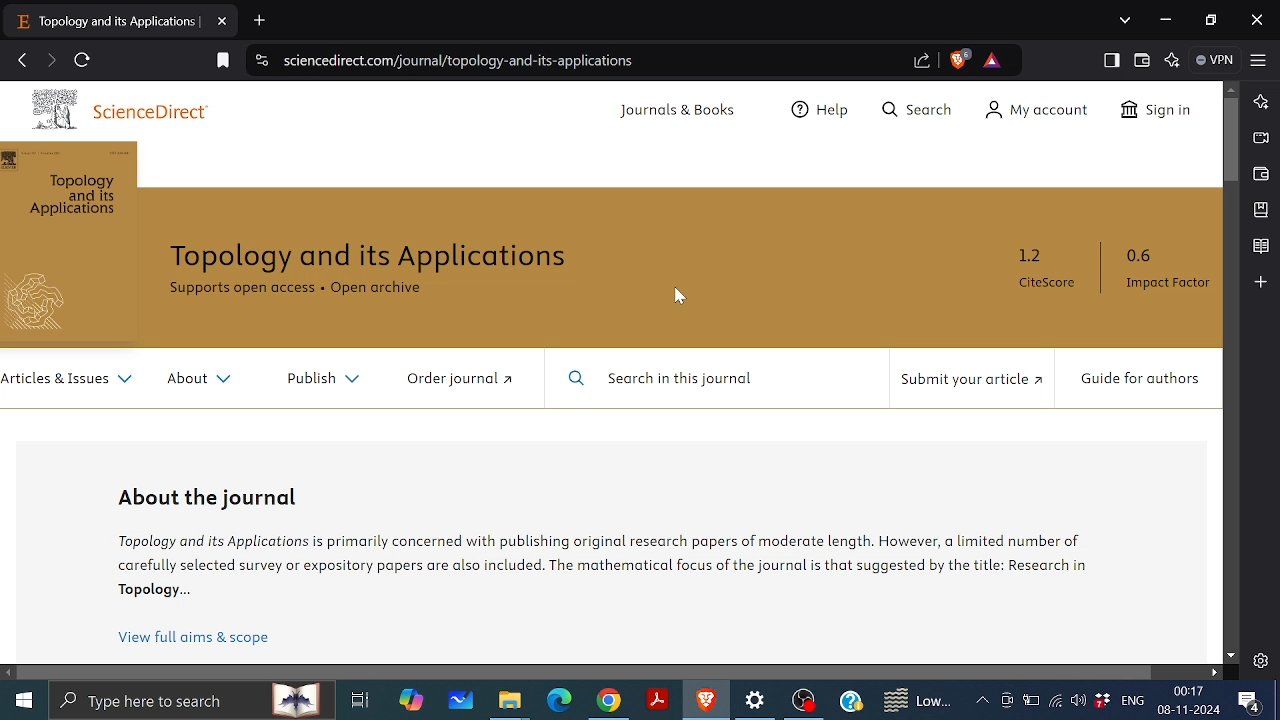 This screenshot has width=1280, height=720. Describe the element at coordinates (508, 703) in the screenshot. I see `Files` at that location.